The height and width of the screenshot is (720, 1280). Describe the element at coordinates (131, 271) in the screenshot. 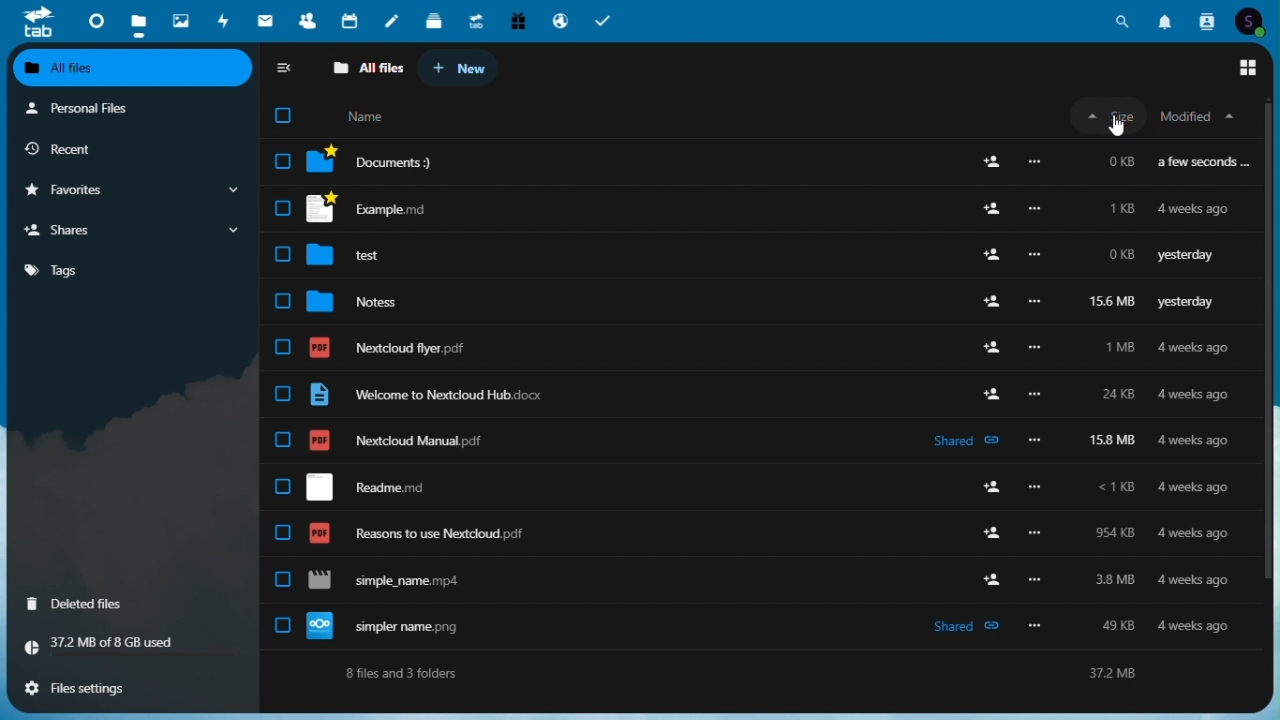

I see `tags` at that location.